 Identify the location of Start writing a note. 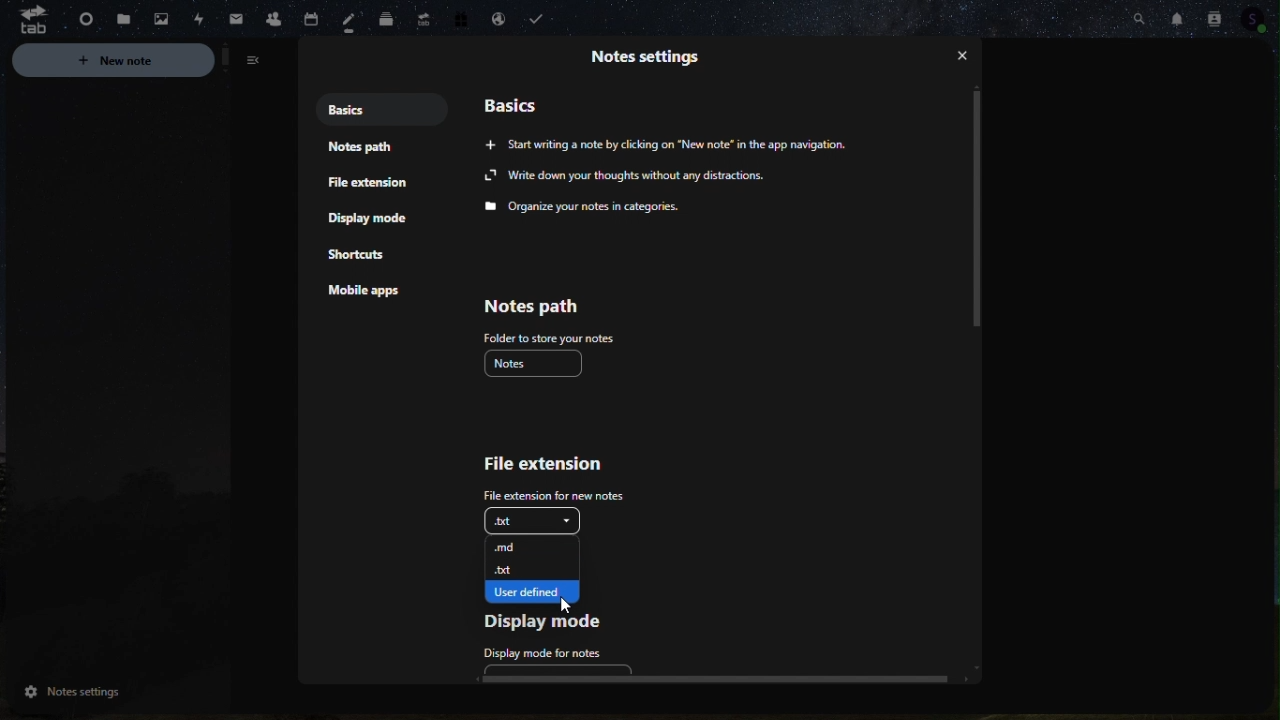
(673, 143).